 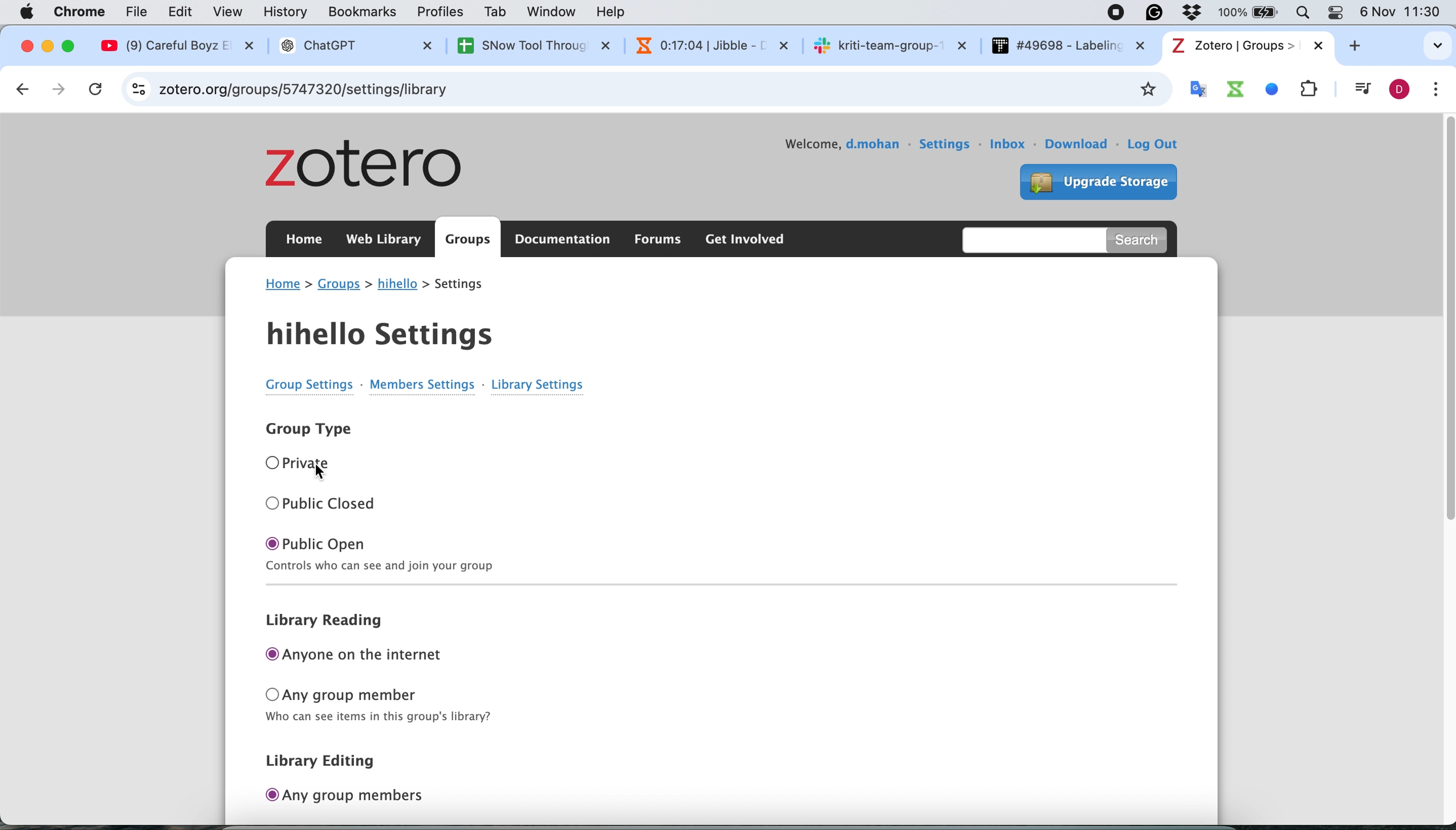 What do you see at coordinates (82, 11) in the screenshot?
I see `chrome` at bounding box center [82, 11].